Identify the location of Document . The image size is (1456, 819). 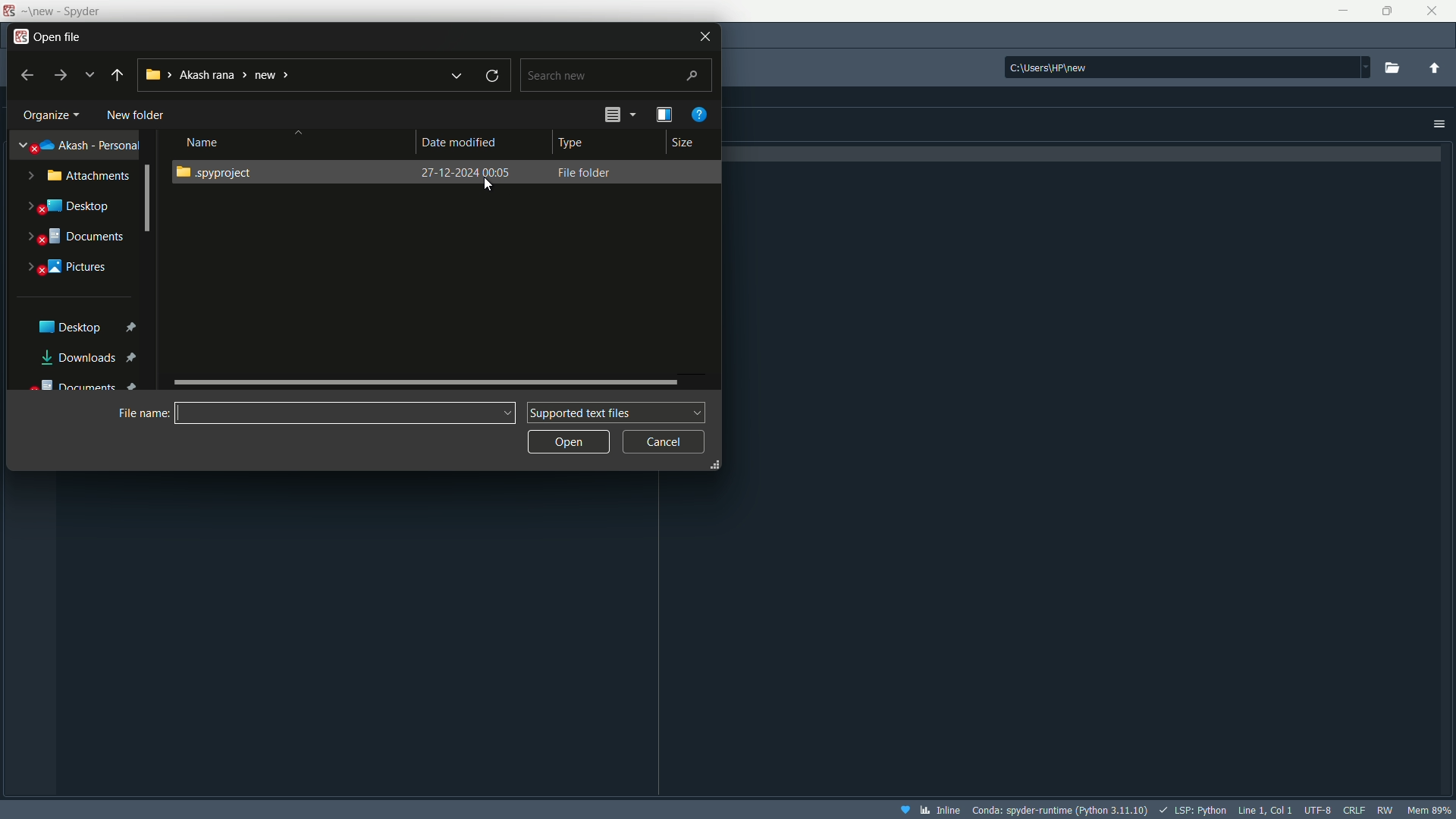
(81, 237).